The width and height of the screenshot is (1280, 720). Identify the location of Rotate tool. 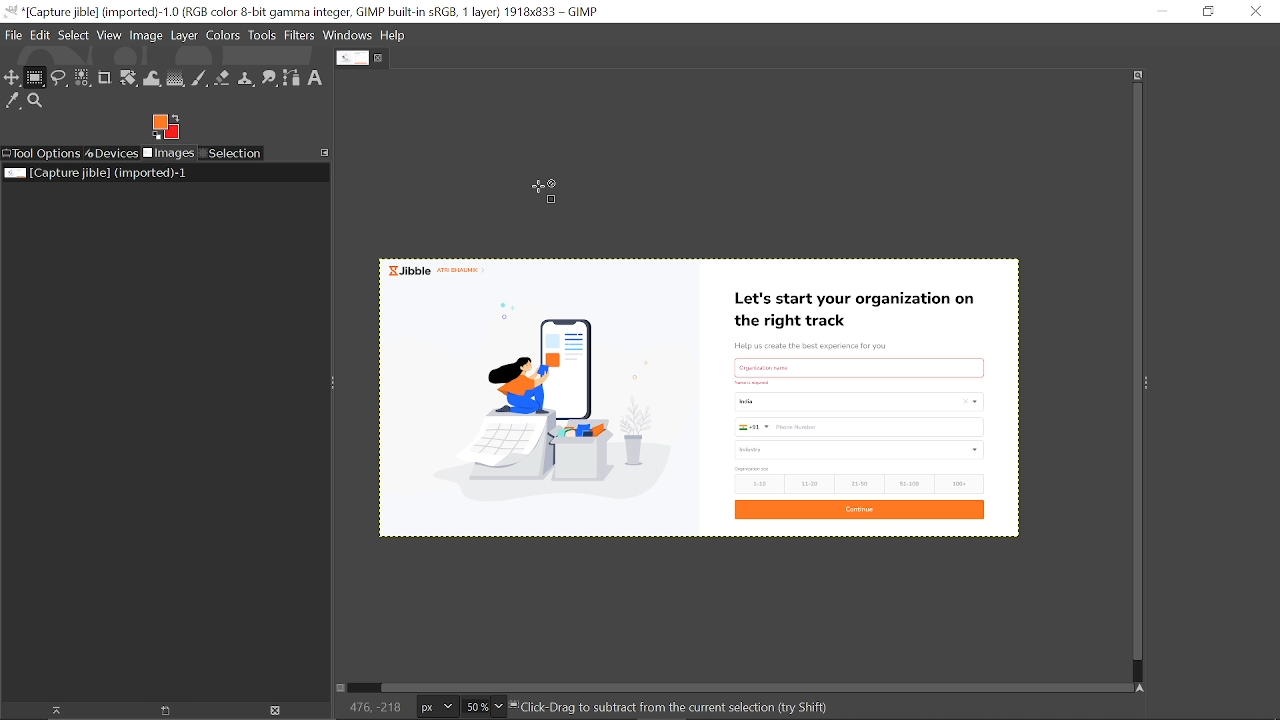
(128, 79).